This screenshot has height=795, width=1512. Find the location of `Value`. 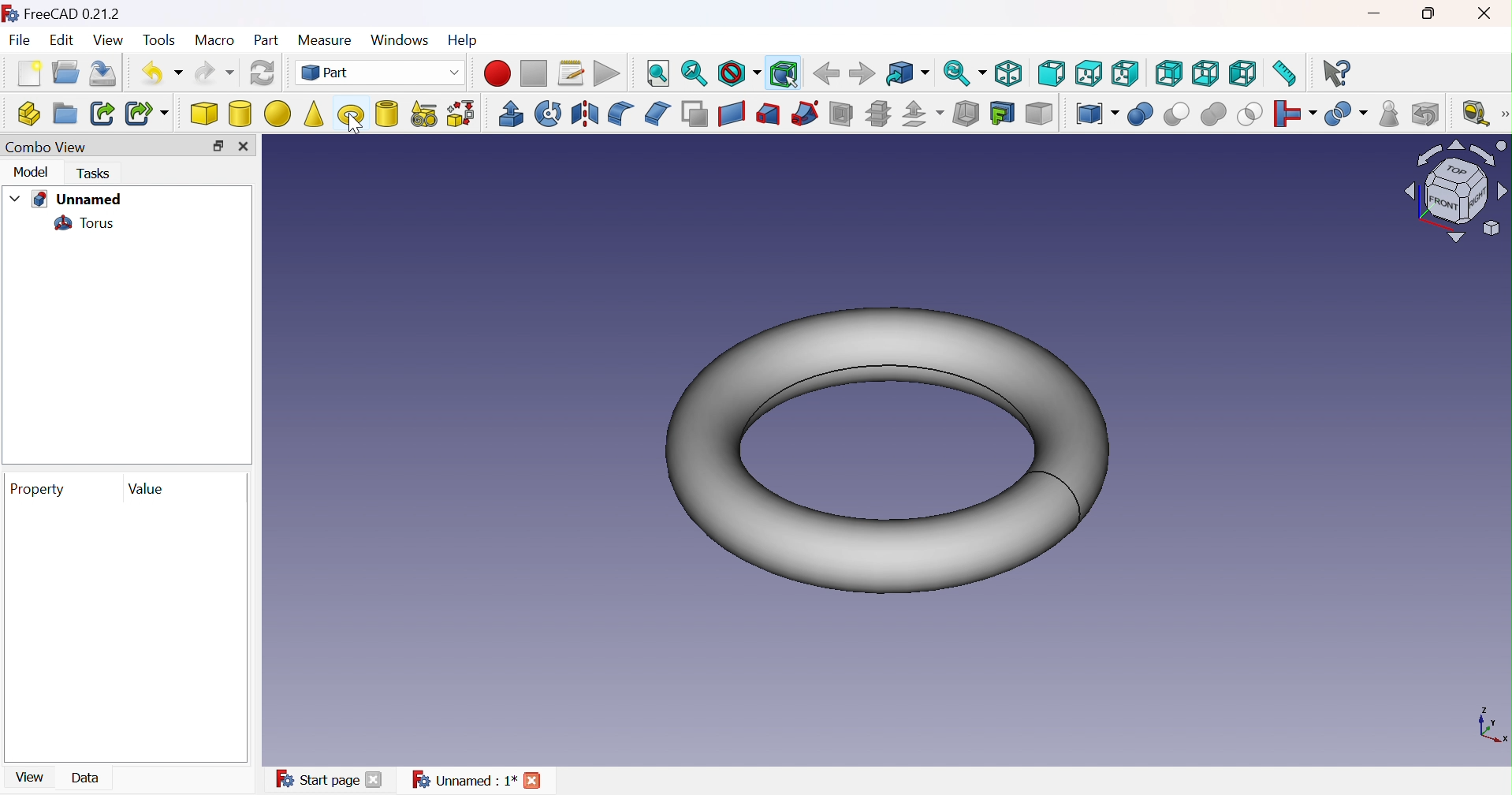

Value is located at coordinates (145, 488).